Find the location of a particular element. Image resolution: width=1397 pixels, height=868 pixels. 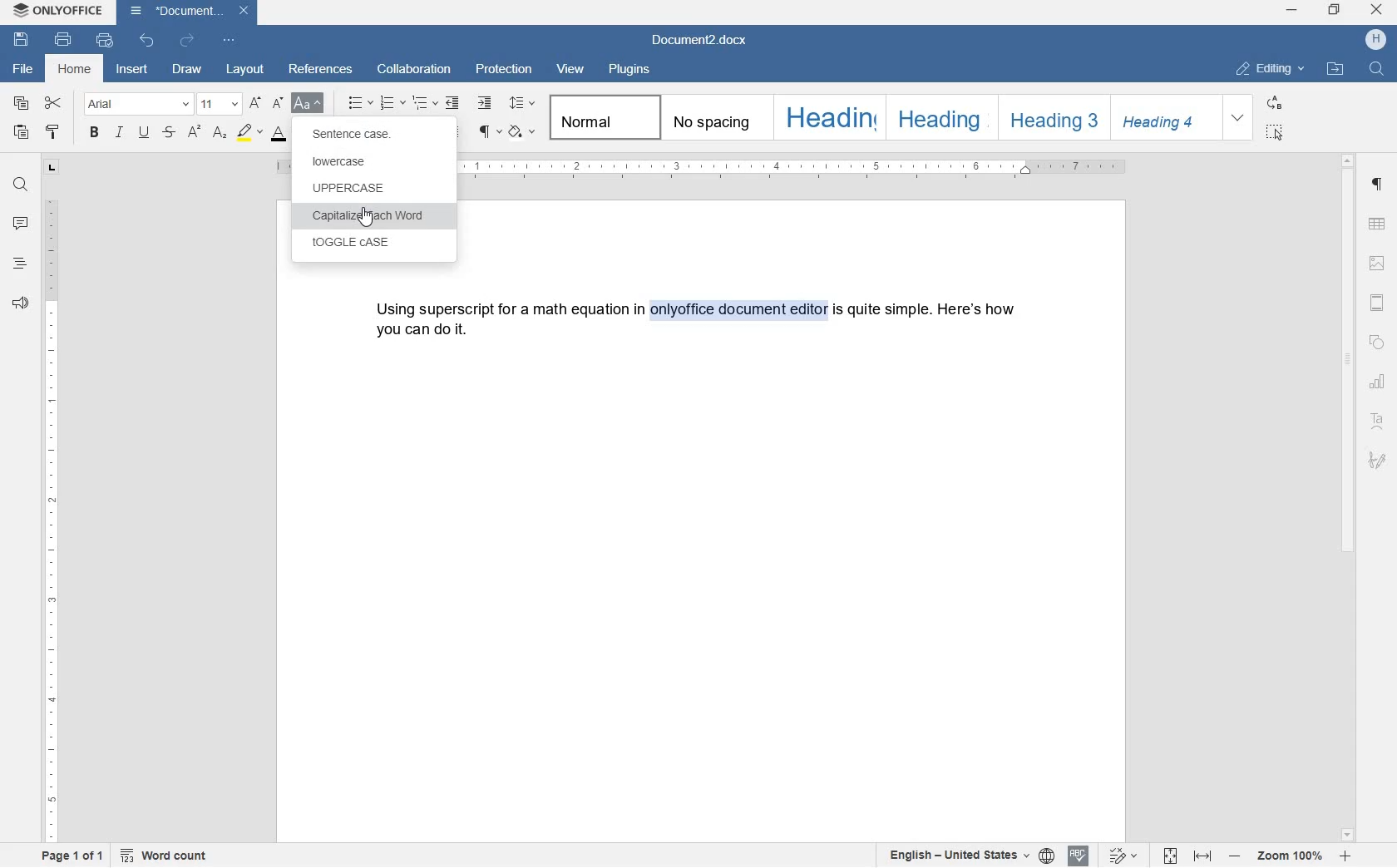

copy style is located at coordinates (52, 133).